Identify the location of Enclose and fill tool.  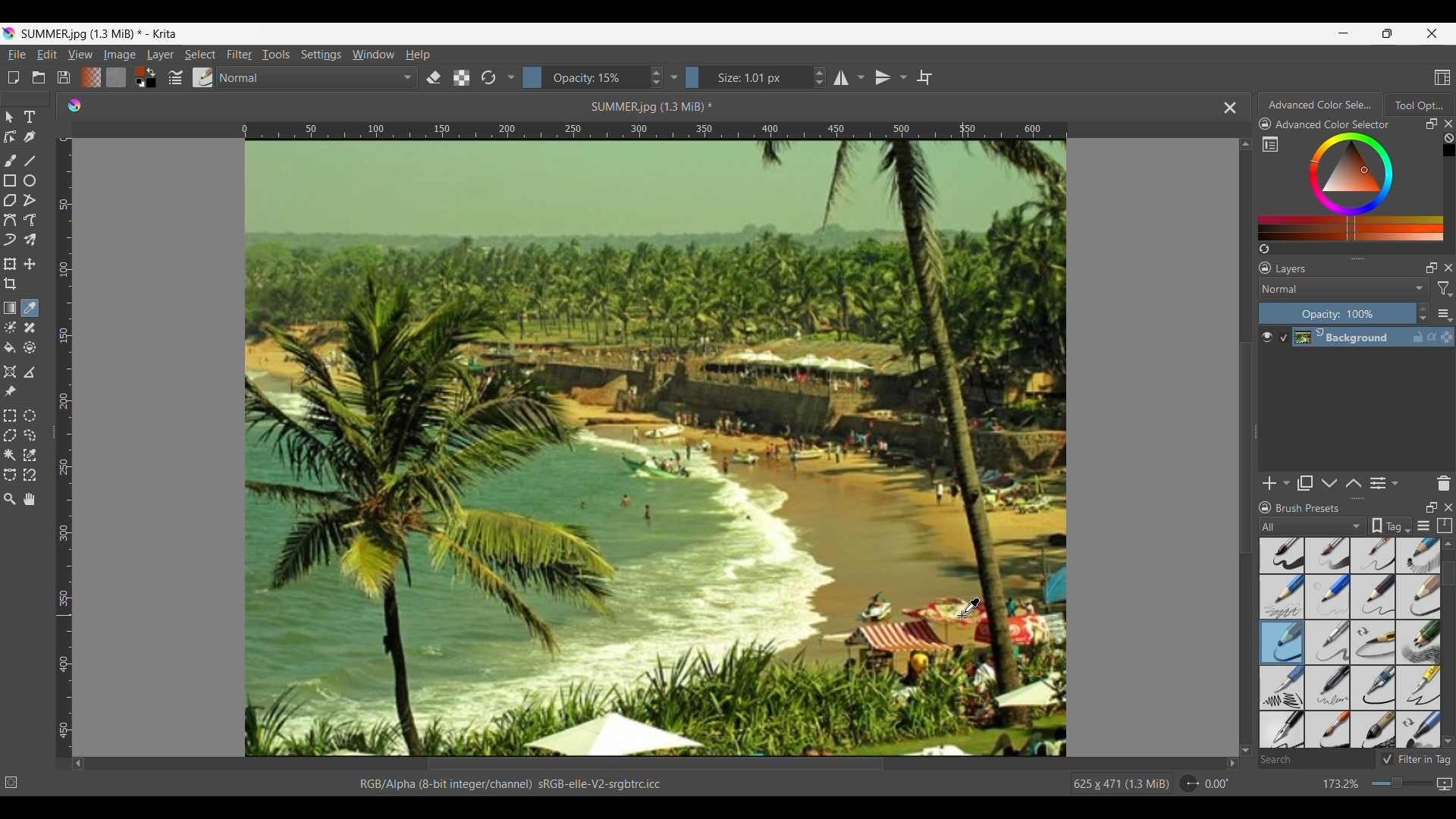
(30, 348).